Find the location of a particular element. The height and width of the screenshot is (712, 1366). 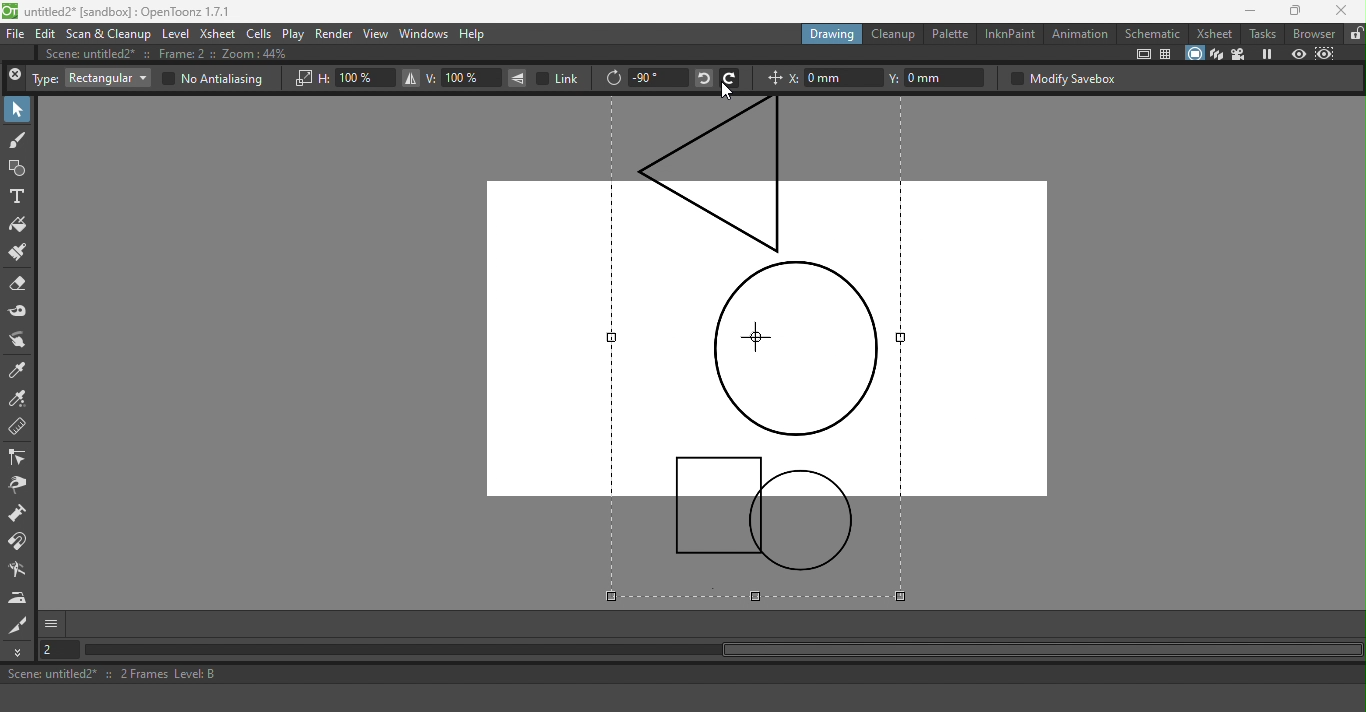

Preview is located at coordinates (1298, 53).